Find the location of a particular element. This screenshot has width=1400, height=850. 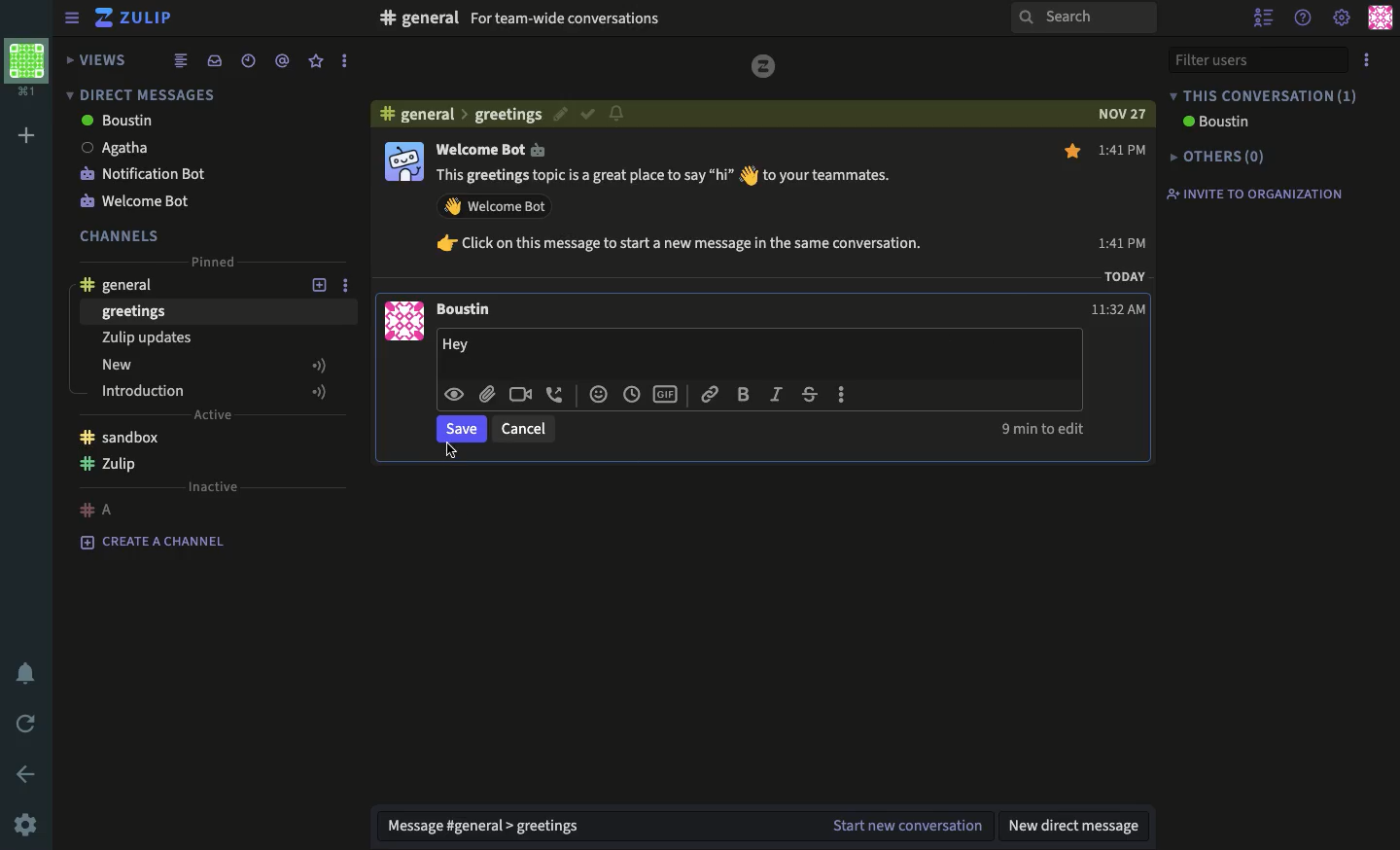

options is located at coordinates (352, 284).